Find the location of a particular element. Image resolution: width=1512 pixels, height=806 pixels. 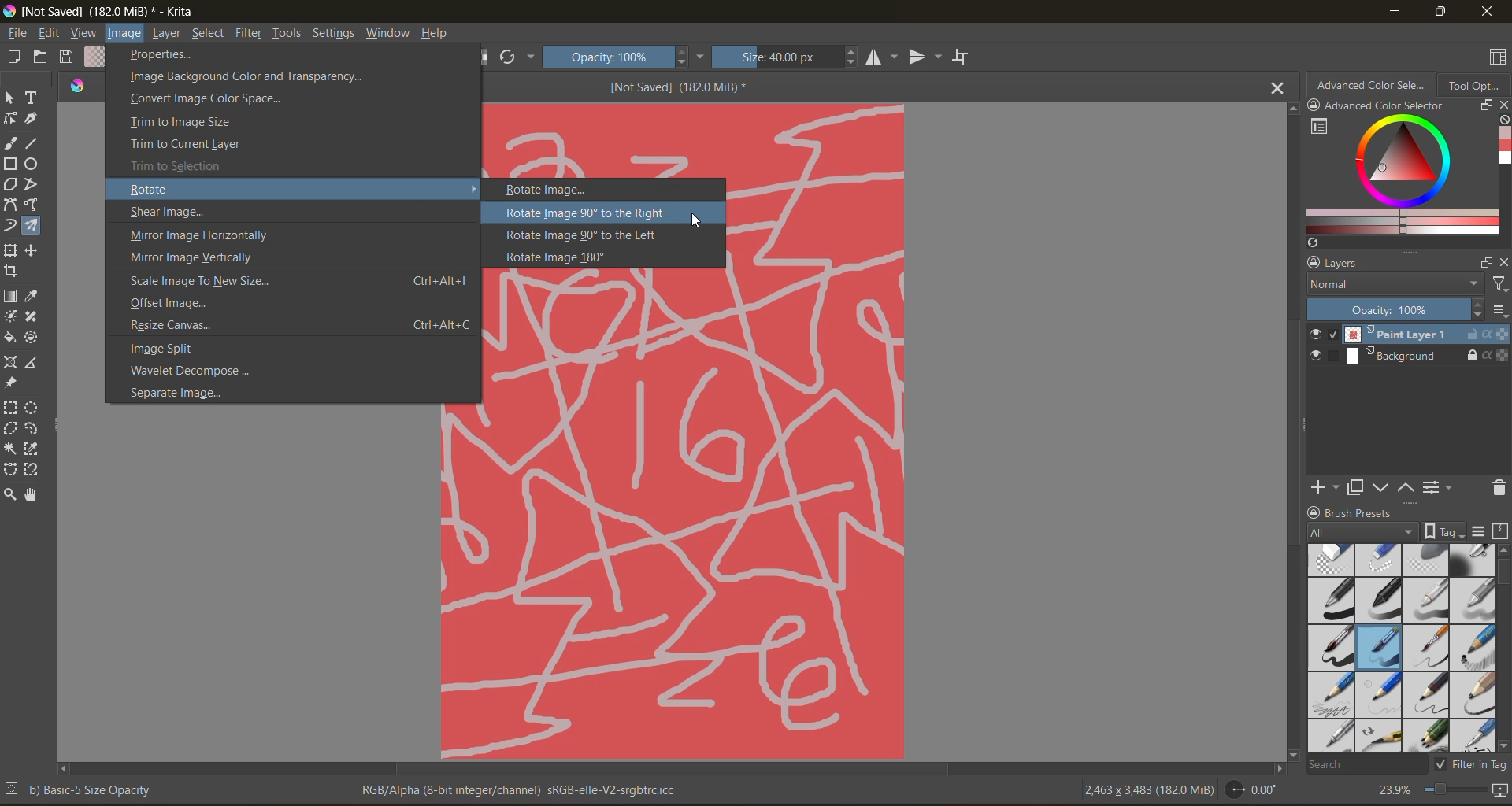

view or change layer is located at coordinates (1440, 488).